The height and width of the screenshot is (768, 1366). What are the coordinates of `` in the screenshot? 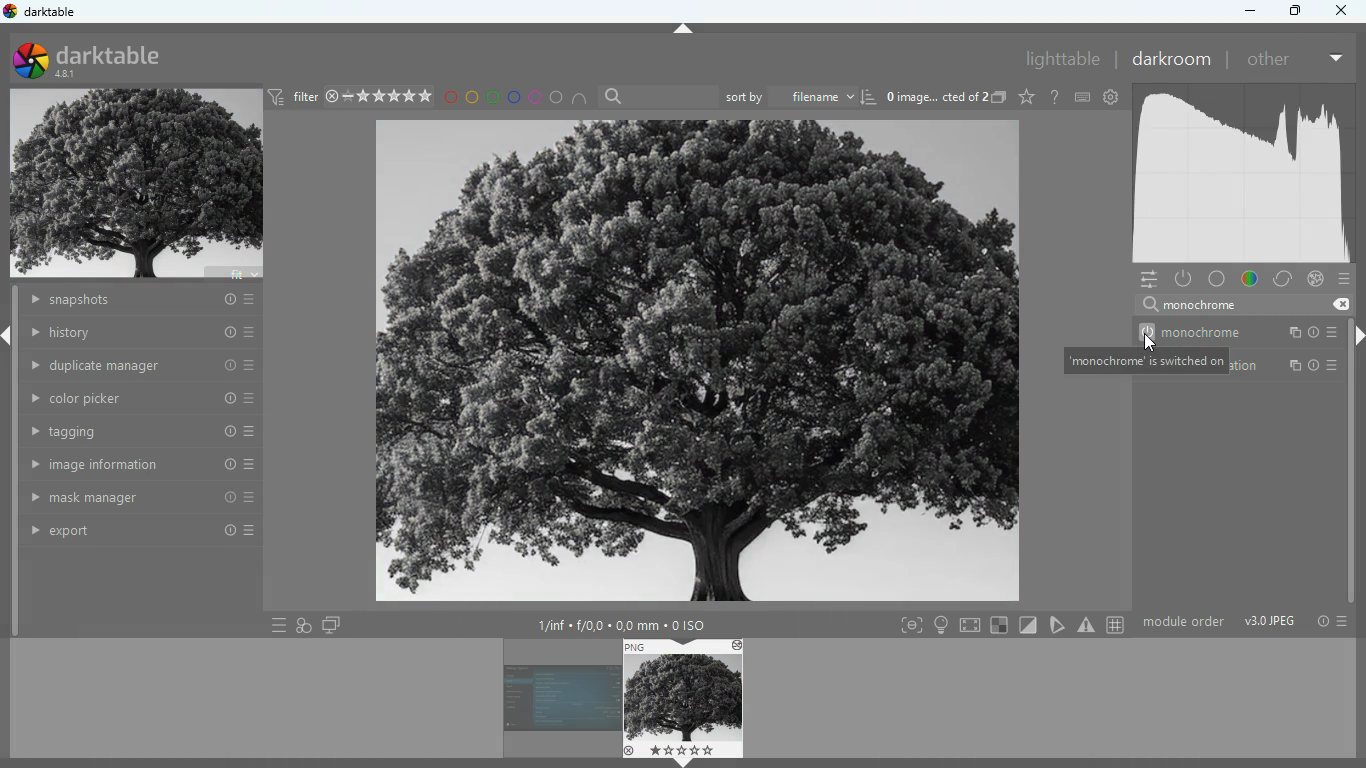 It's located at (1347, 12).